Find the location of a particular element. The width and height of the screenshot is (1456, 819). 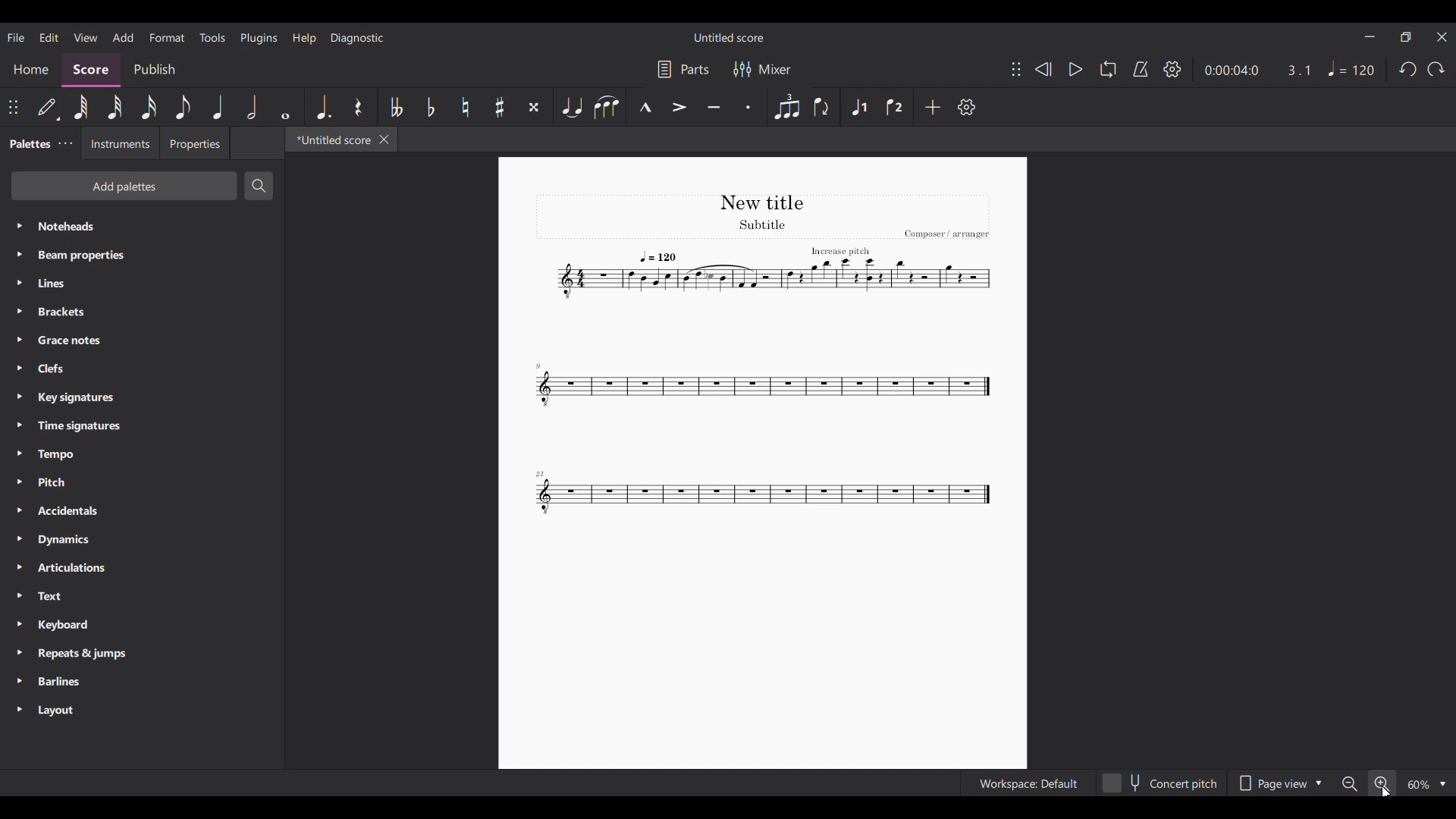

Clefs is located at coordinates (142, 369).